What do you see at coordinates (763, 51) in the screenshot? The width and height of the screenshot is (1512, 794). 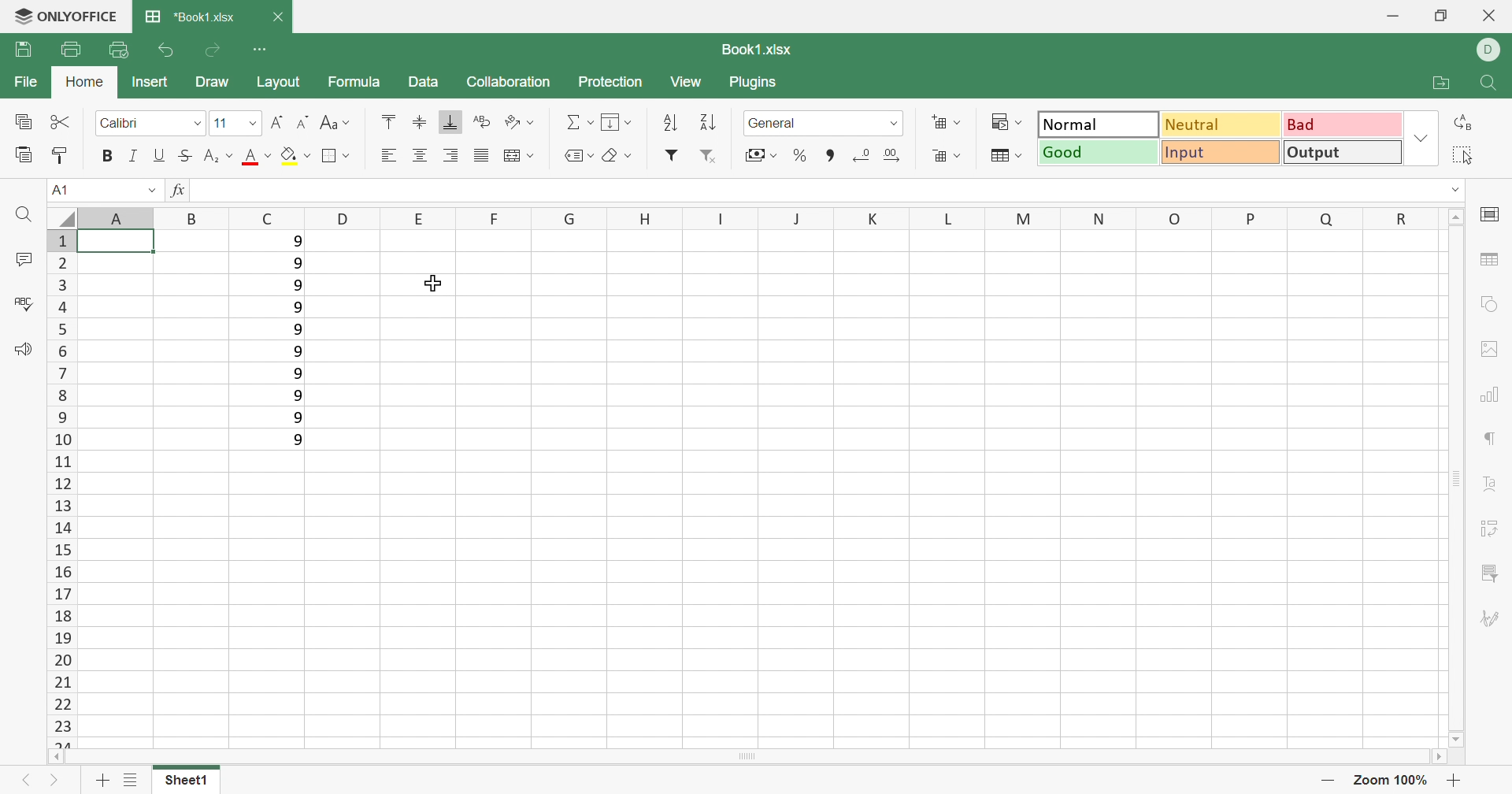 I see `Book1.xlsx` at bounding box center [763, 51].